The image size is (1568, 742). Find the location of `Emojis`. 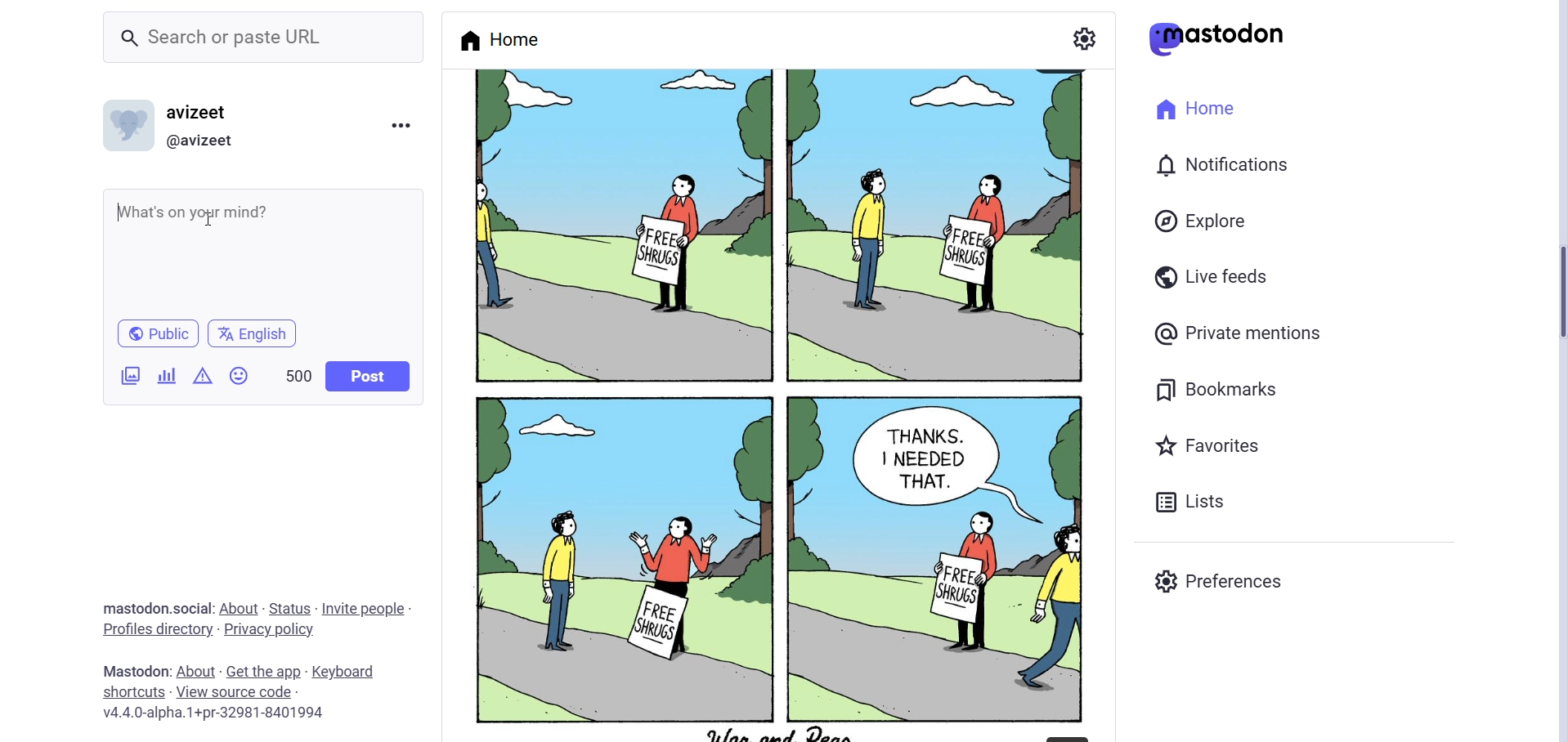

Emojis is located at coordinates (241, 378).